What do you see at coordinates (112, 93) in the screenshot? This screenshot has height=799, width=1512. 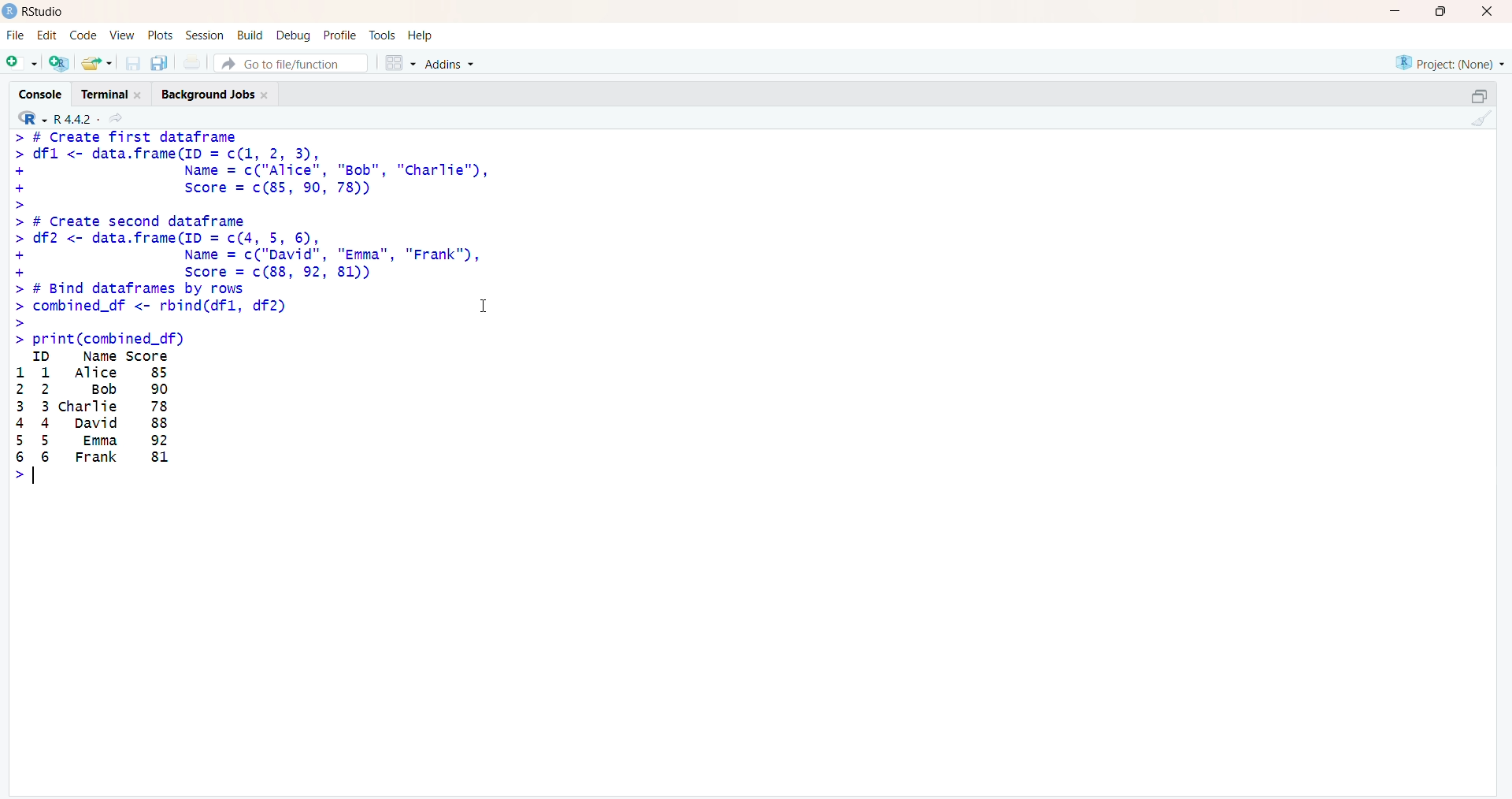 I see `Terminal` at bounding box center [112, 93].